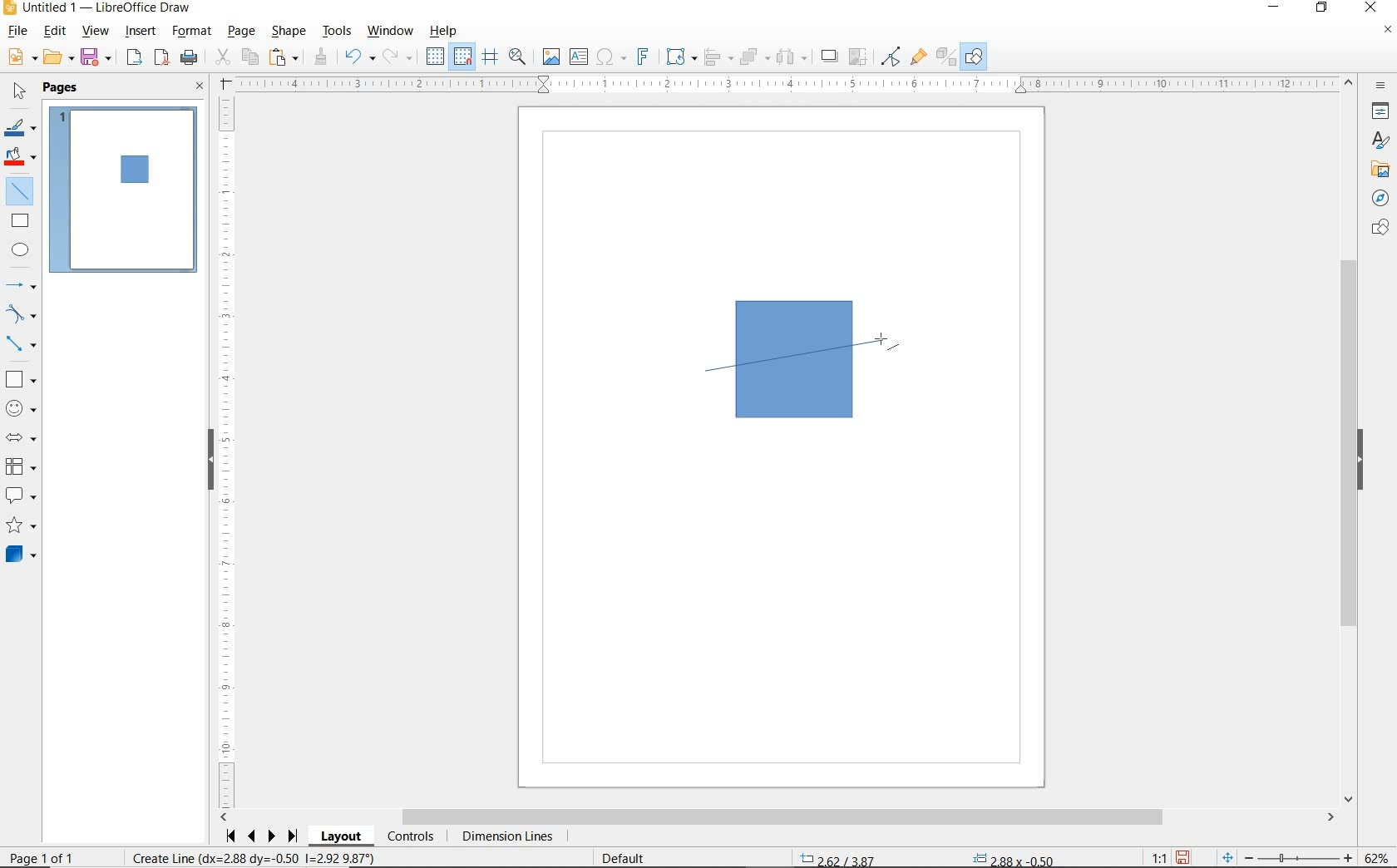  Describe the element at coordinates (892, 58) in the screenshot. I see `TOGGLE POINT EDIT MODE` at that location.